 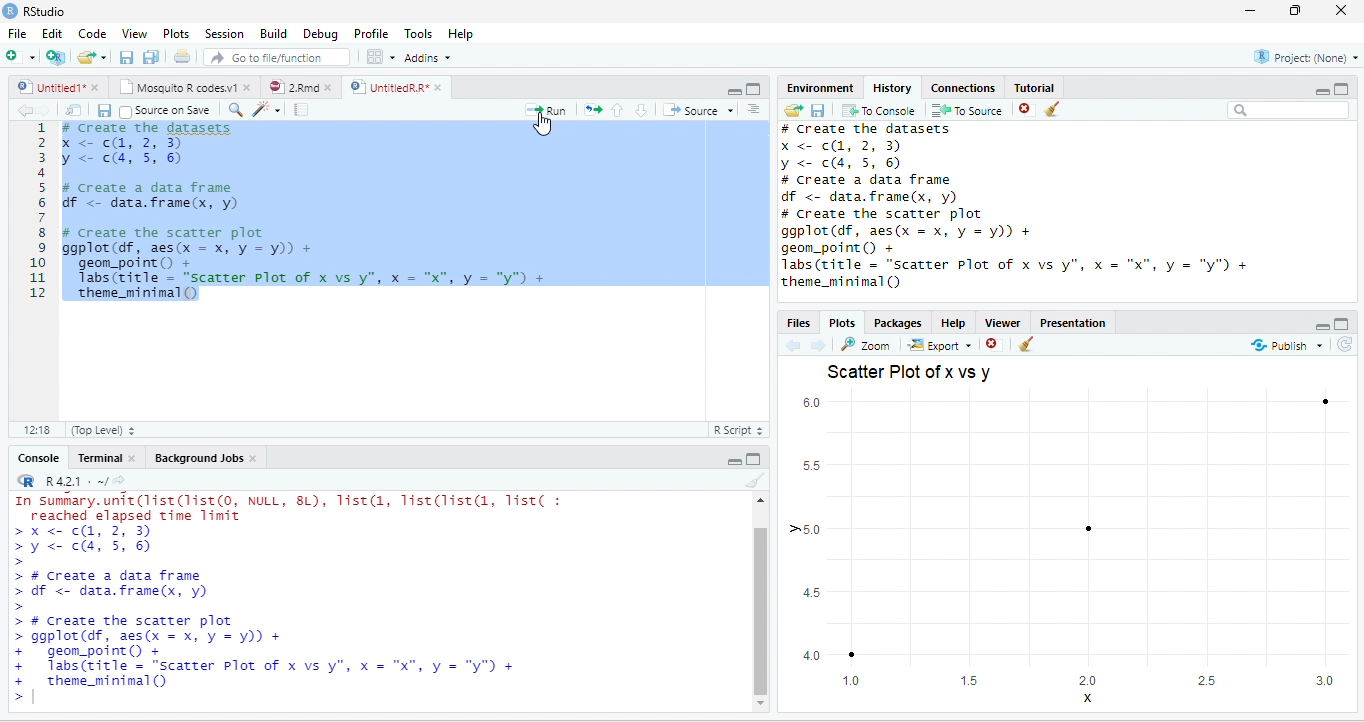 I want to click on Publish, so click(x=1288, y=346).